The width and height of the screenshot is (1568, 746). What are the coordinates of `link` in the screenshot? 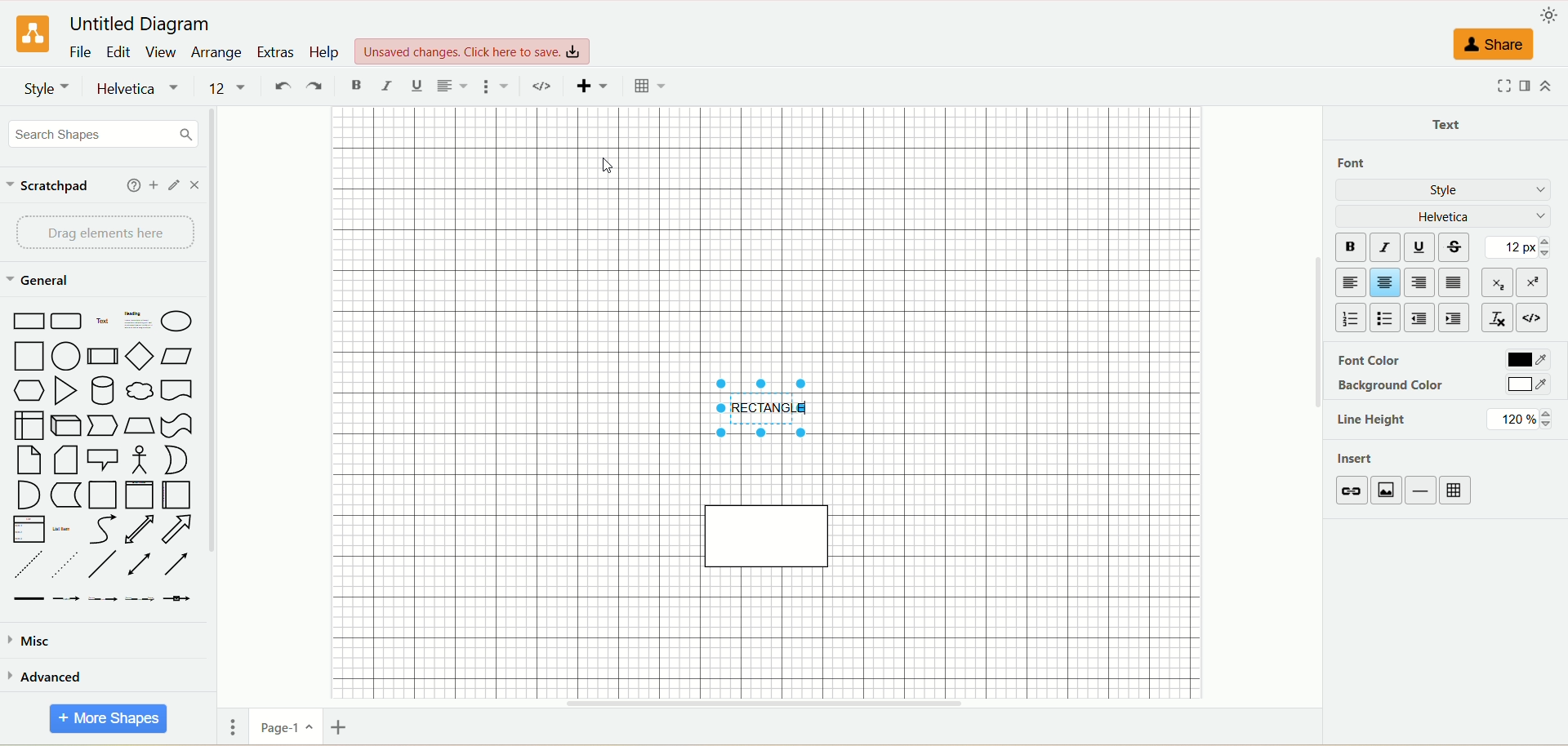 It's located at (1353, 491).